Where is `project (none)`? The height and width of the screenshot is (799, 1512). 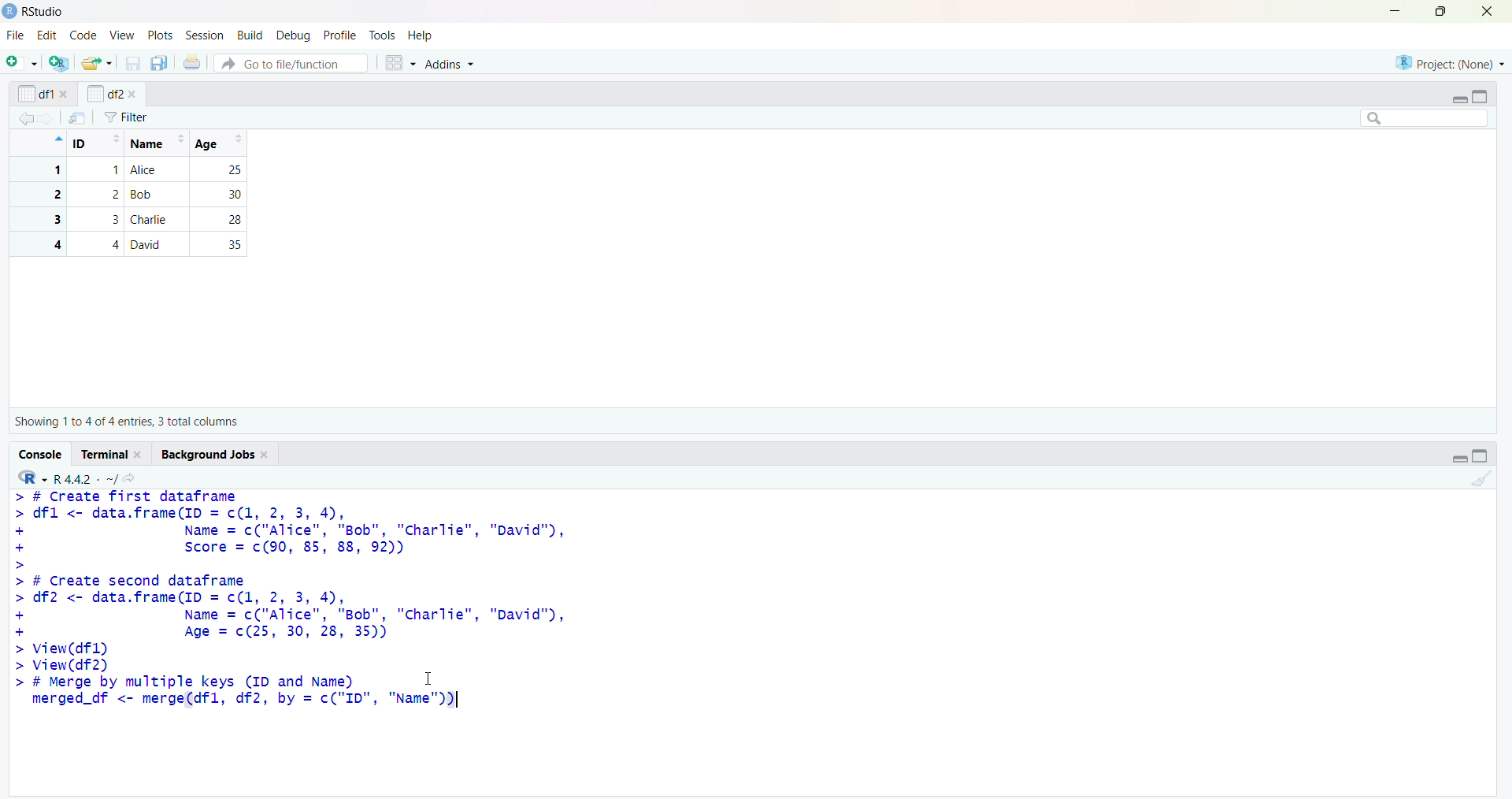
project (none) is located at coordinates (1450, 62).